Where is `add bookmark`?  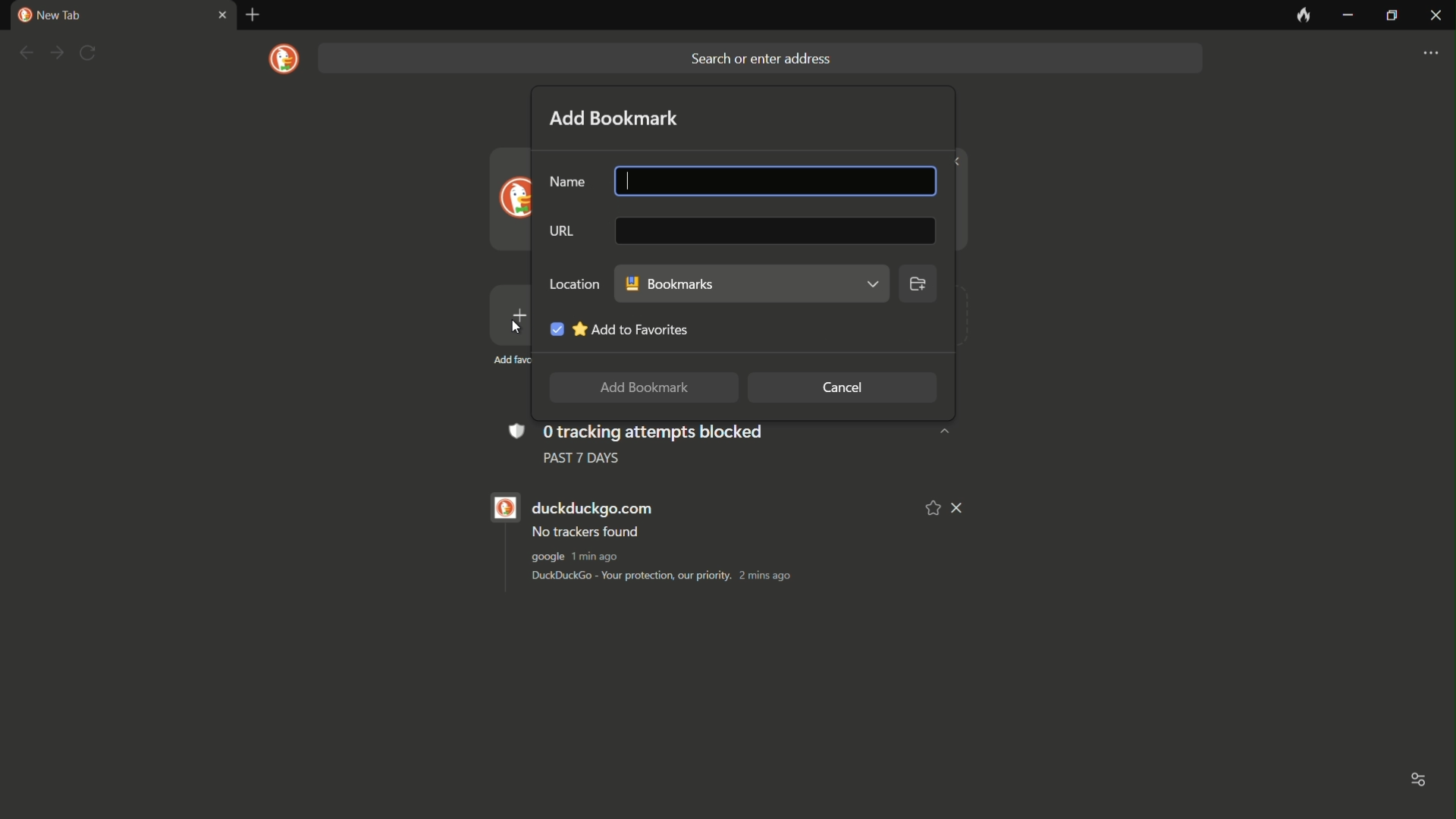
add bookmark is located at coordinates (615, 118).